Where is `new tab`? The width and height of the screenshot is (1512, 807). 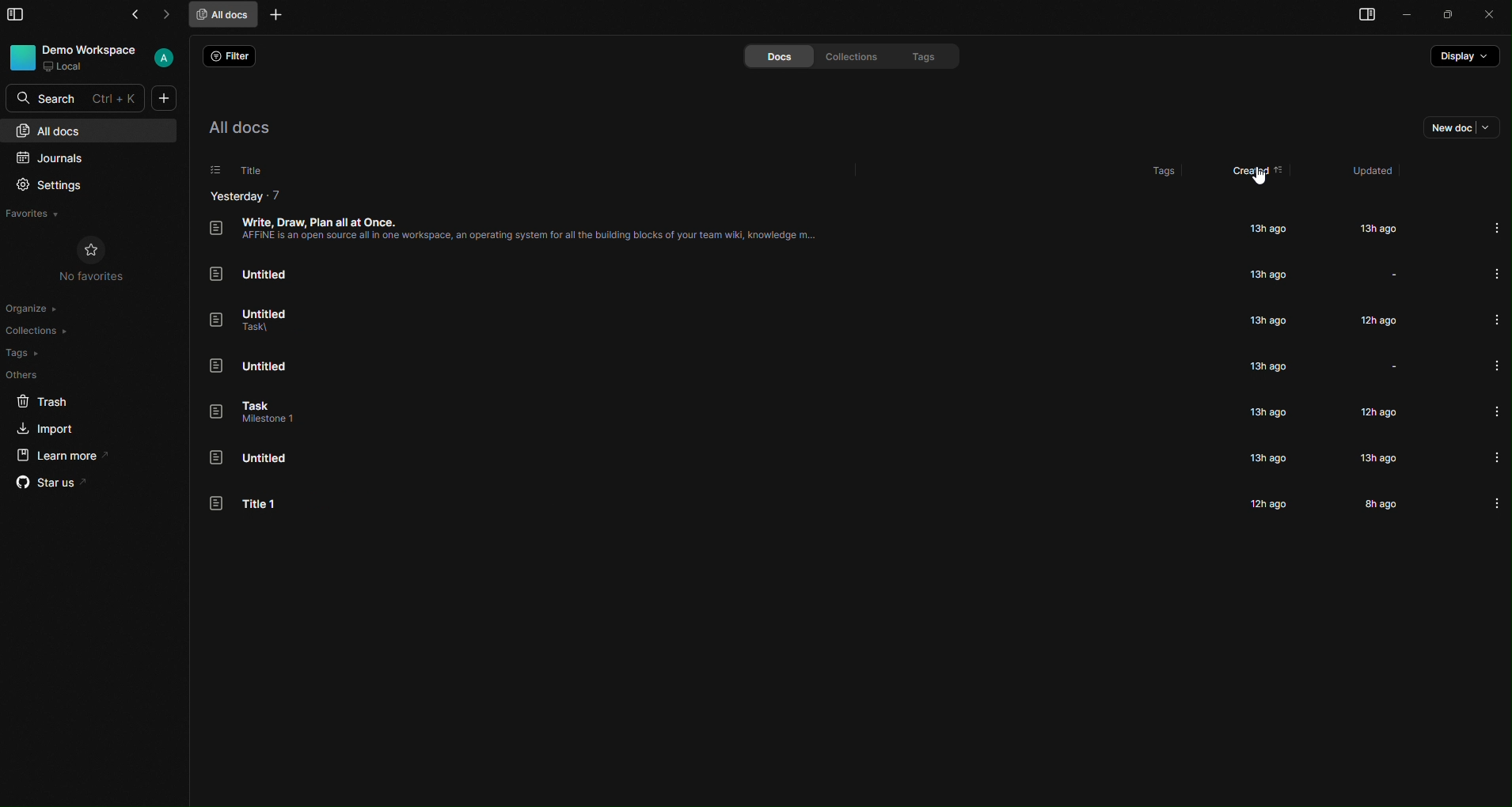
new tab is located at coordinates (275, 14).